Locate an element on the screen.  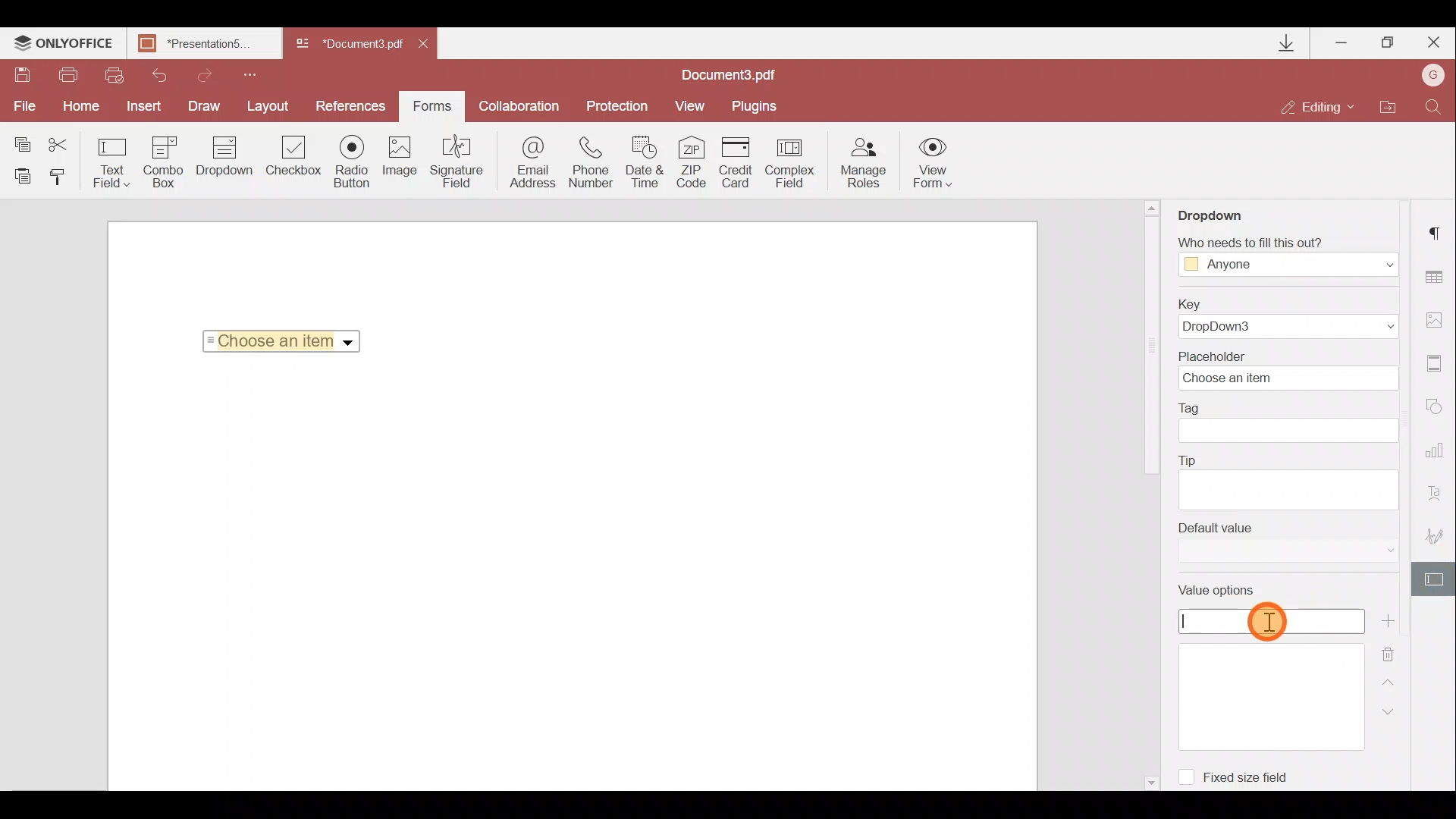
View form is located at coordinates (931, 162).